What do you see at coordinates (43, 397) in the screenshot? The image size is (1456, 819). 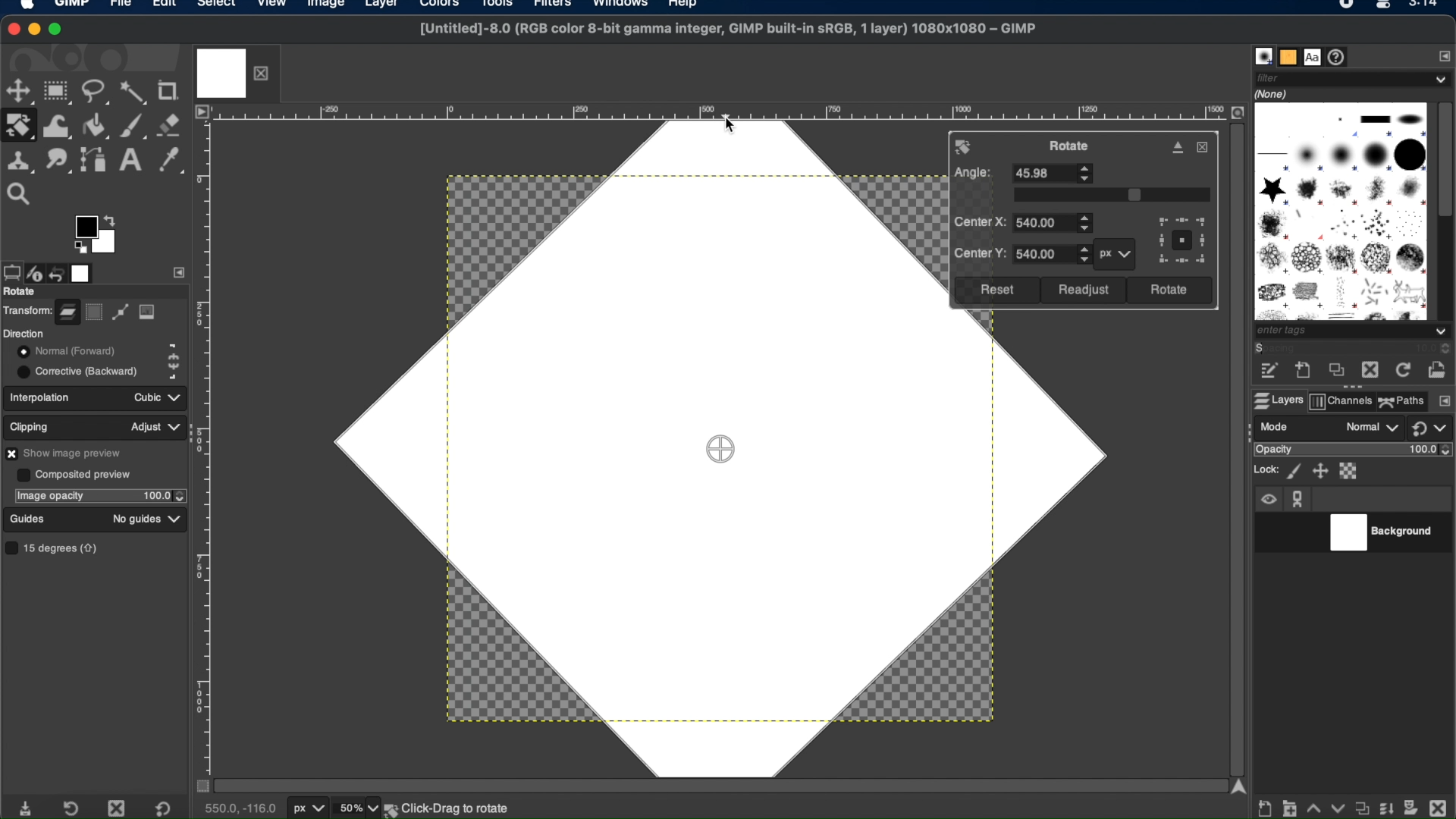 I see `interpolation` at bounding box center [43, 397].